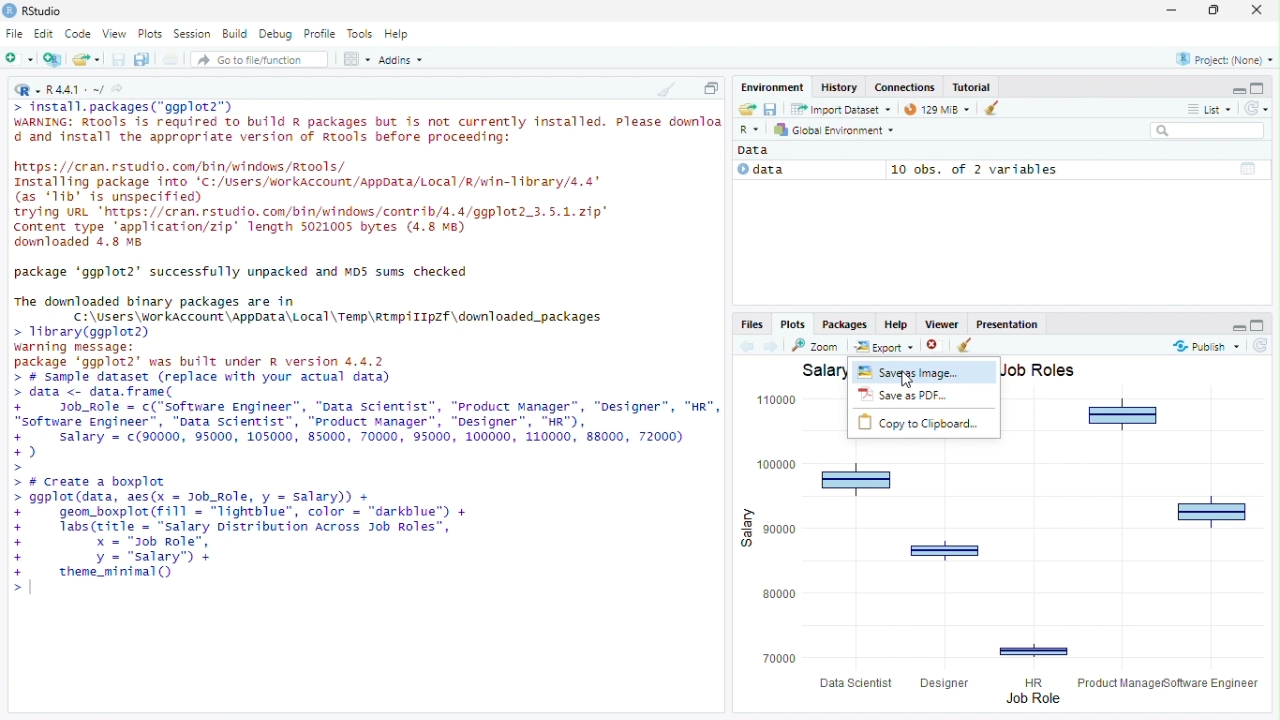  What do you see at coordinates (400, 58) in the screenshot?
I see `Addins` at bounding box center [400, 58].